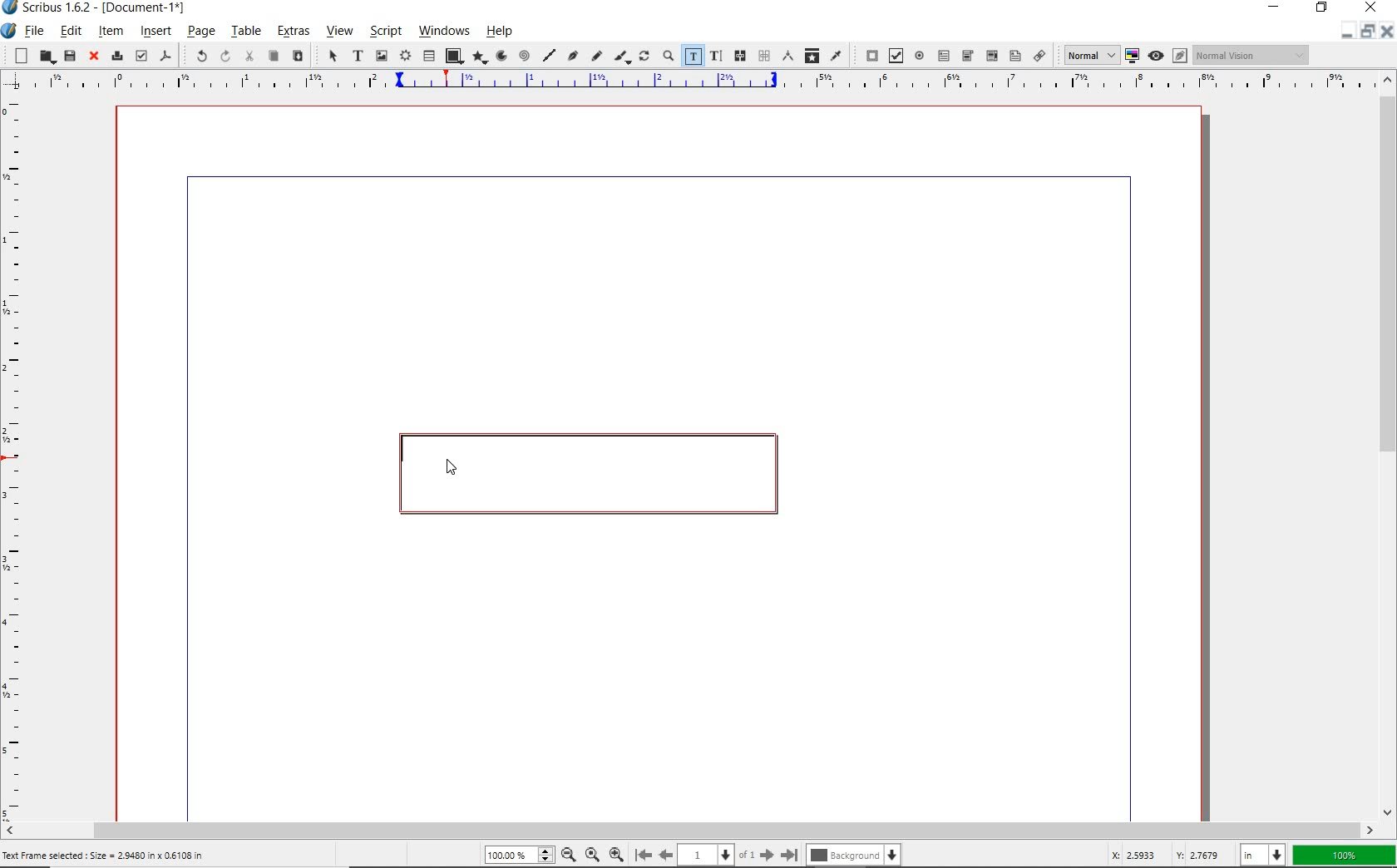 The image size is (1397, 868). What do you see at coordinates (585, 474) in the screenshot?
I see `TEXT FRAME` at bounding box center [585, 474].